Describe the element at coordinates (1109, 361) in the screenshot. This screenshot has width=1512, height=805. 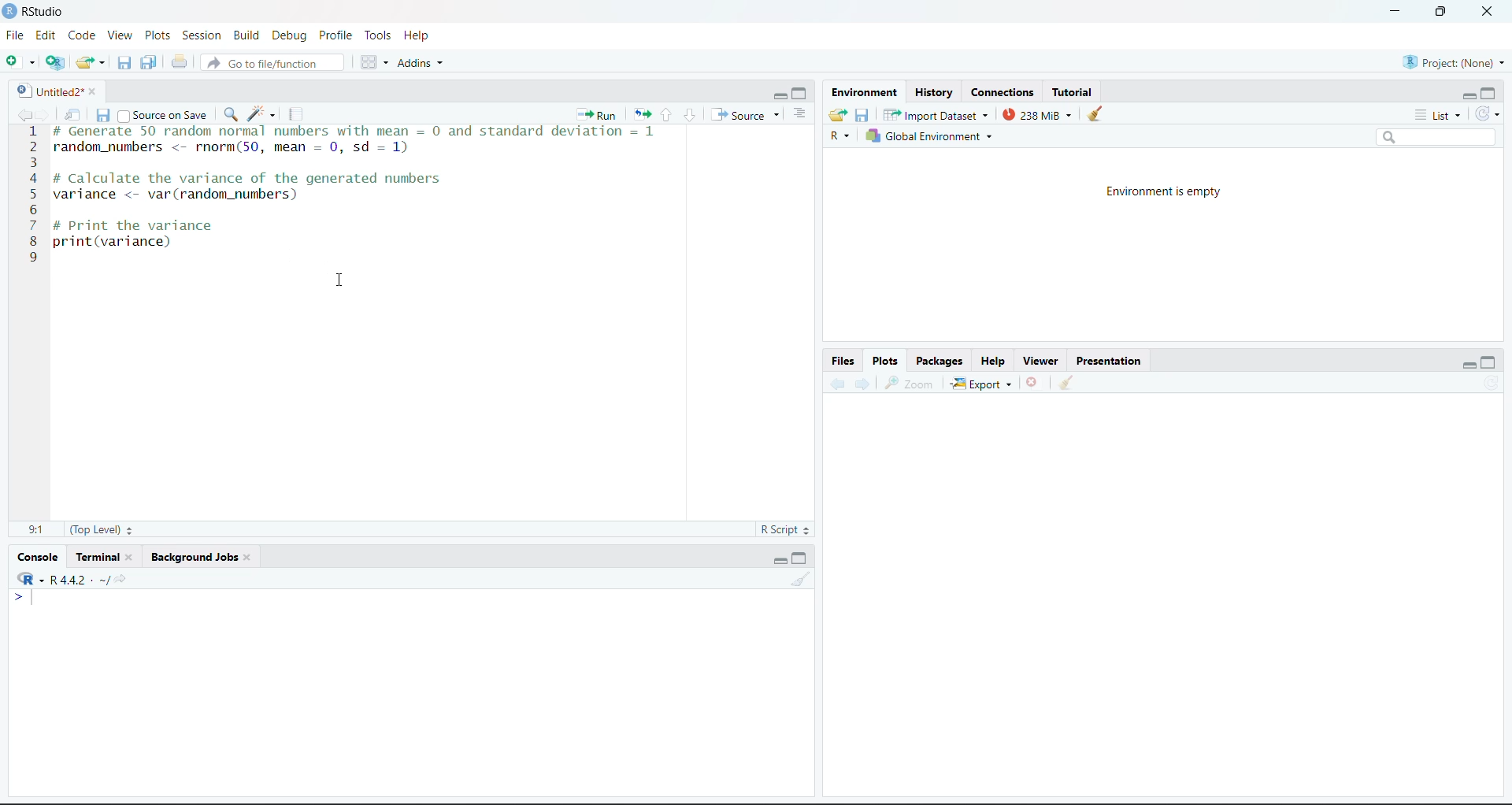
I see `Presentation` at that location.